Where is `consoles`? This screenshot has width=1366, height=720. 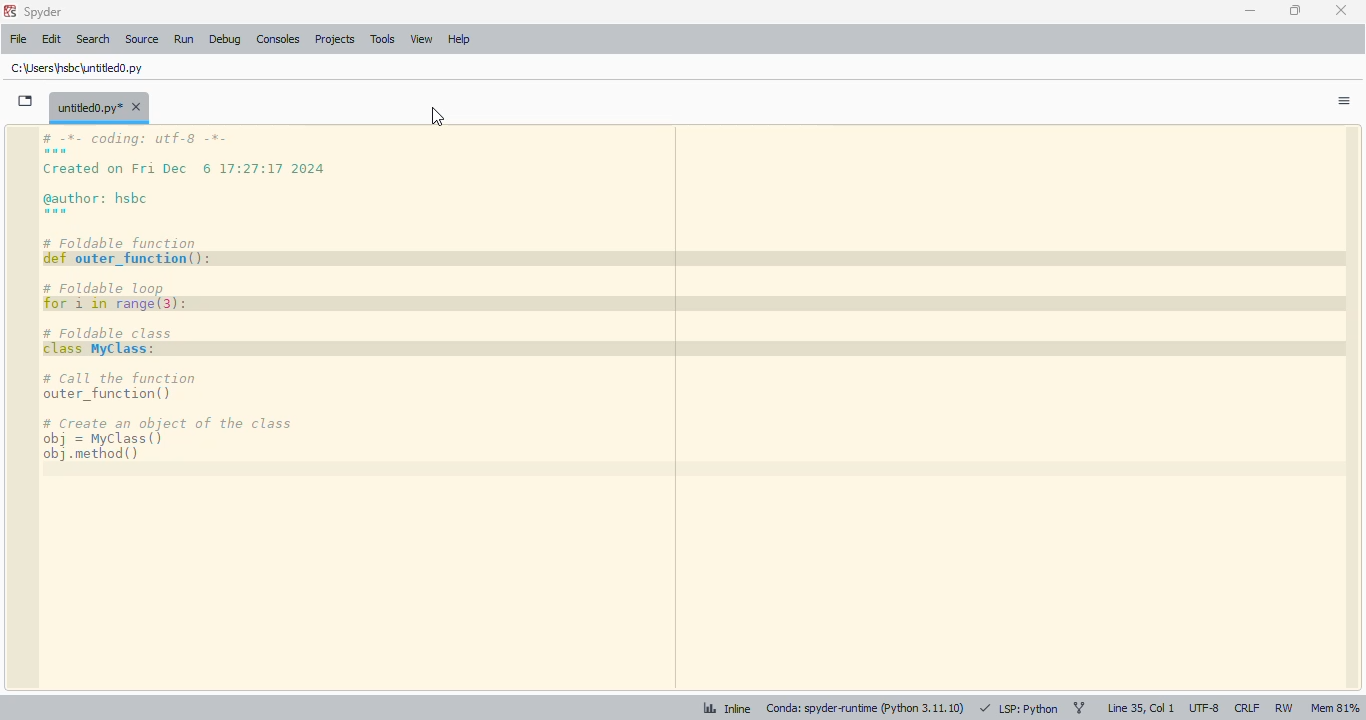
consoles is located at coordinates (277, 39).